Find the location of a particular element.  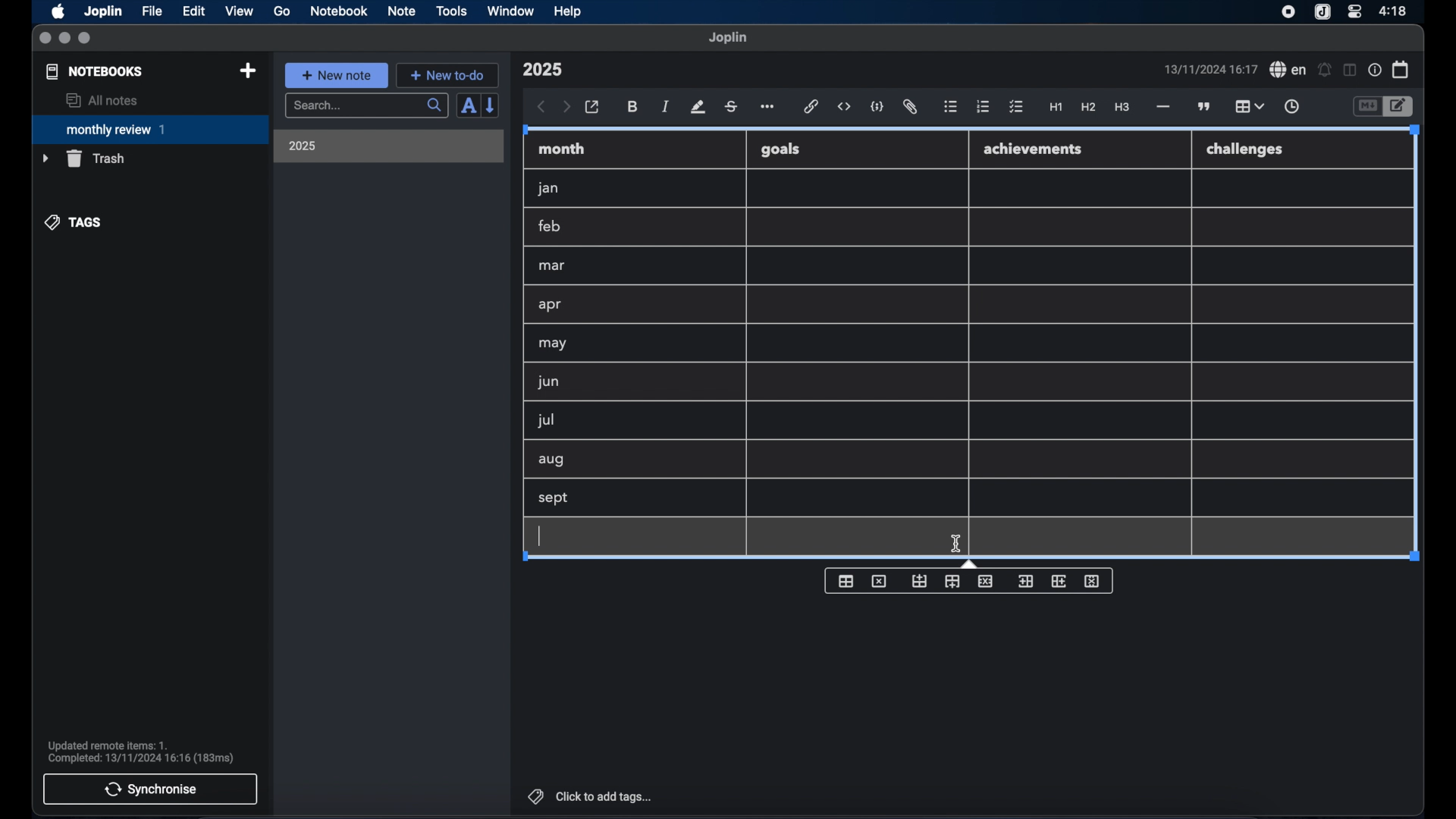

help is located at coordinates (569, 11).